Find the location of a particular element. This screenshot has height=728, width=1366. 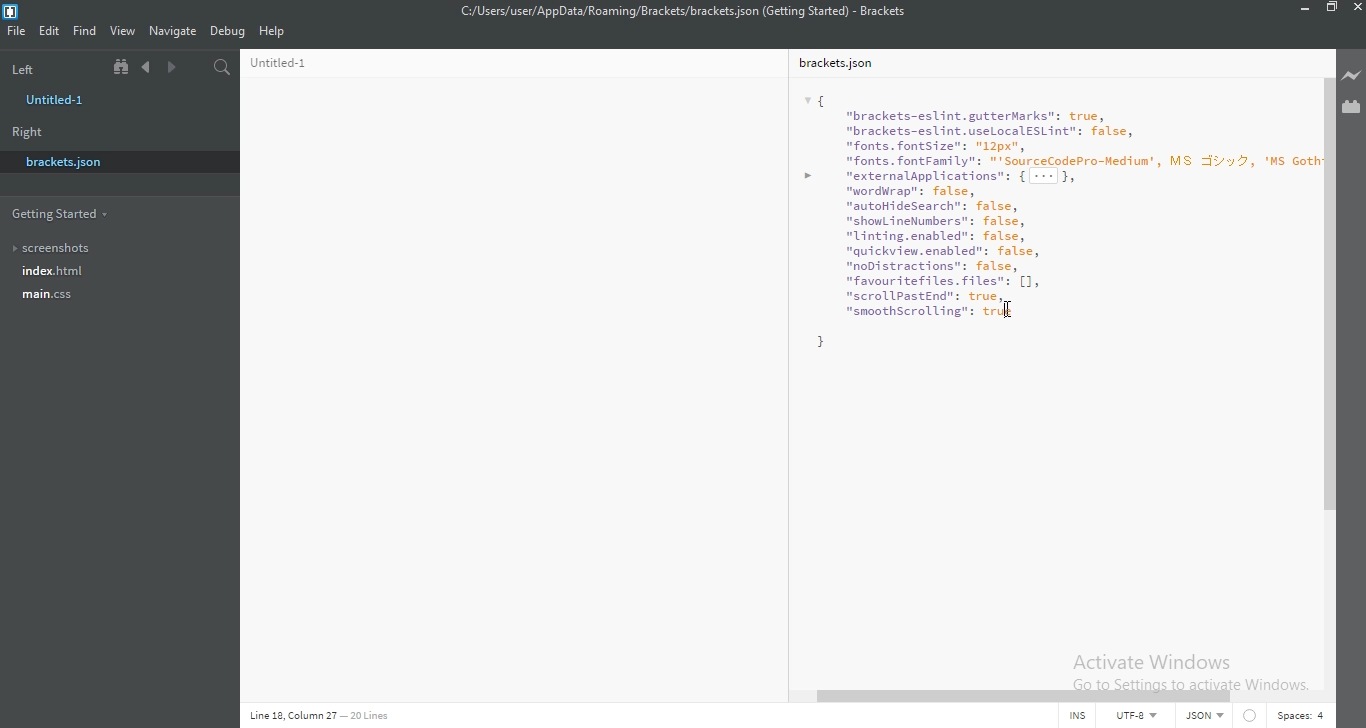

Untitled-1 is located at coordinates (506, 379).